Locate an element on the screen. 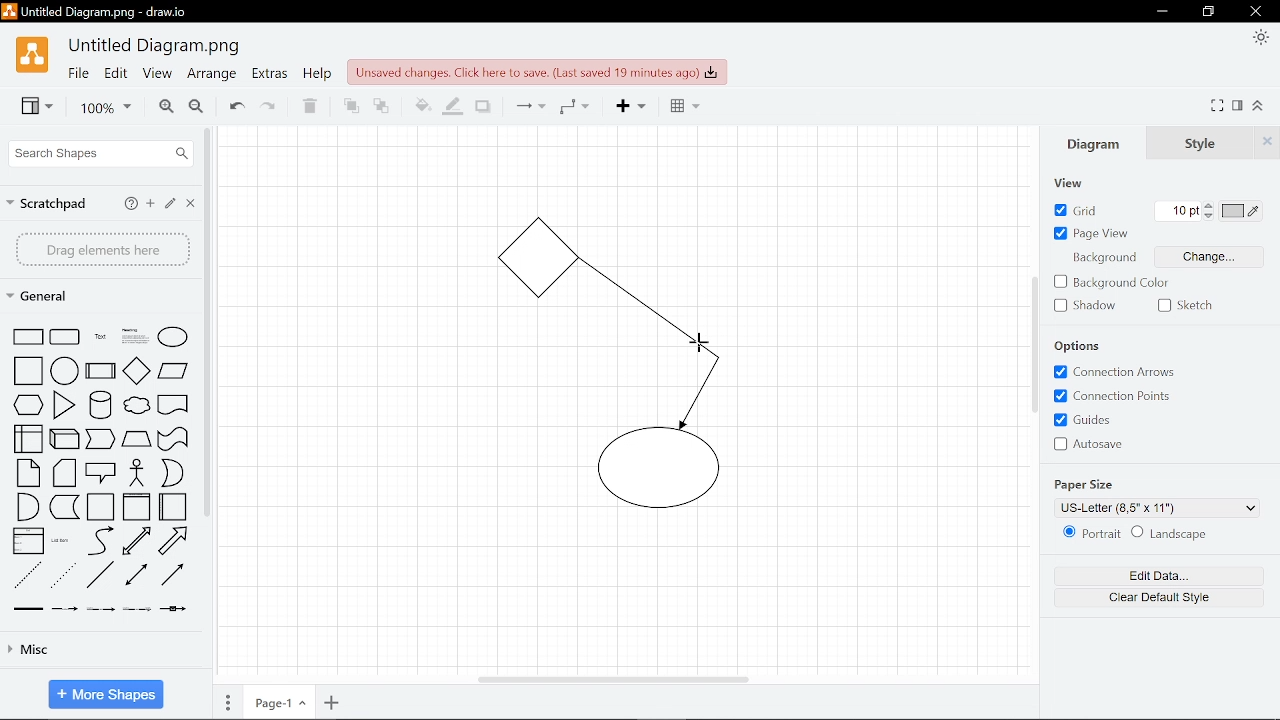 The width and height of the screenshot is (1280, 720). Paper size is located at coordinates (1158, 510).